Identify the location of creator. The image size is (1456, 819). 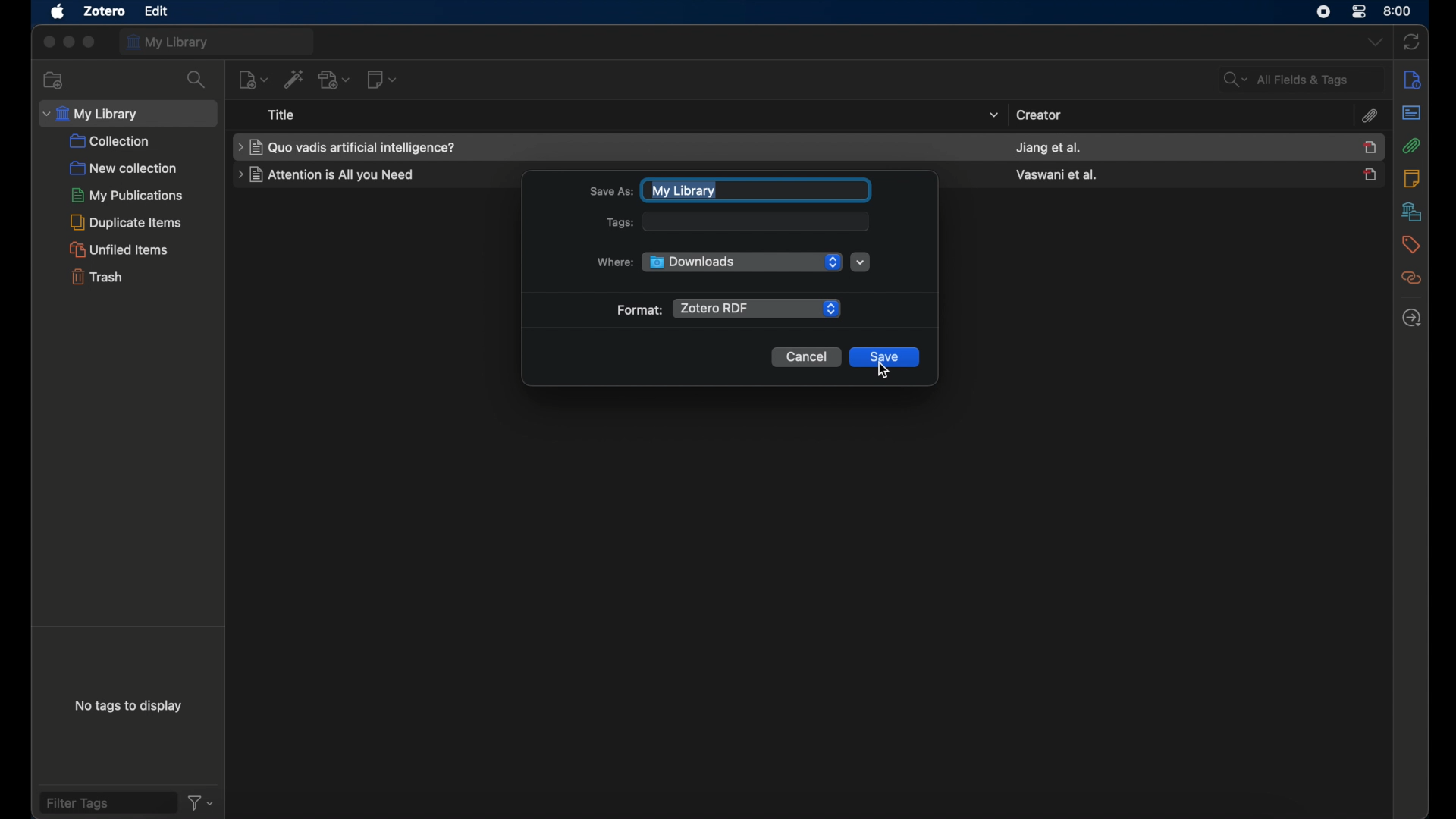
(1039, 114).